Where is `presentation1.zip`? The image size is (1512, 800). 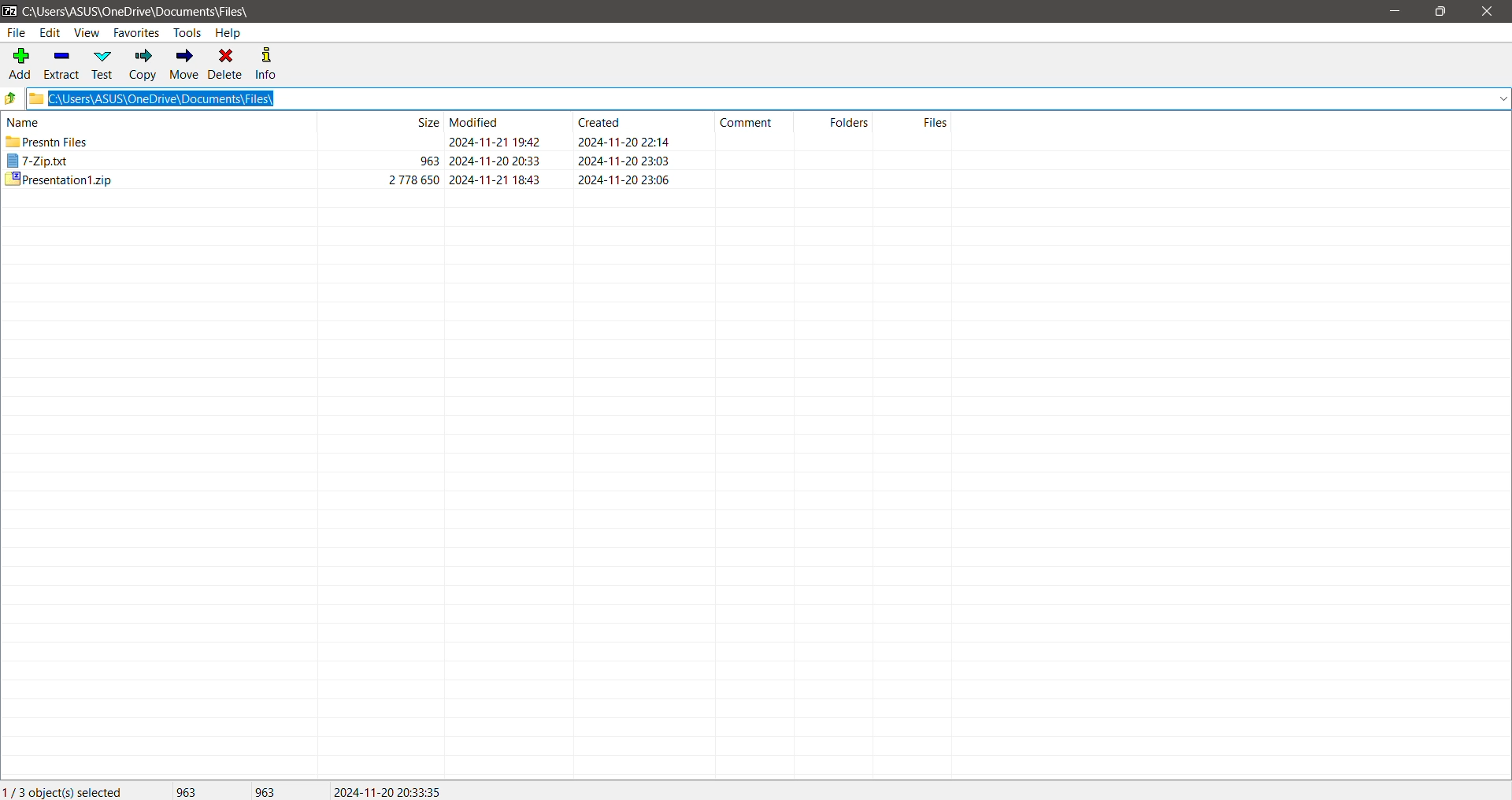 presentation1.zip is located at coordinates (59, 179).